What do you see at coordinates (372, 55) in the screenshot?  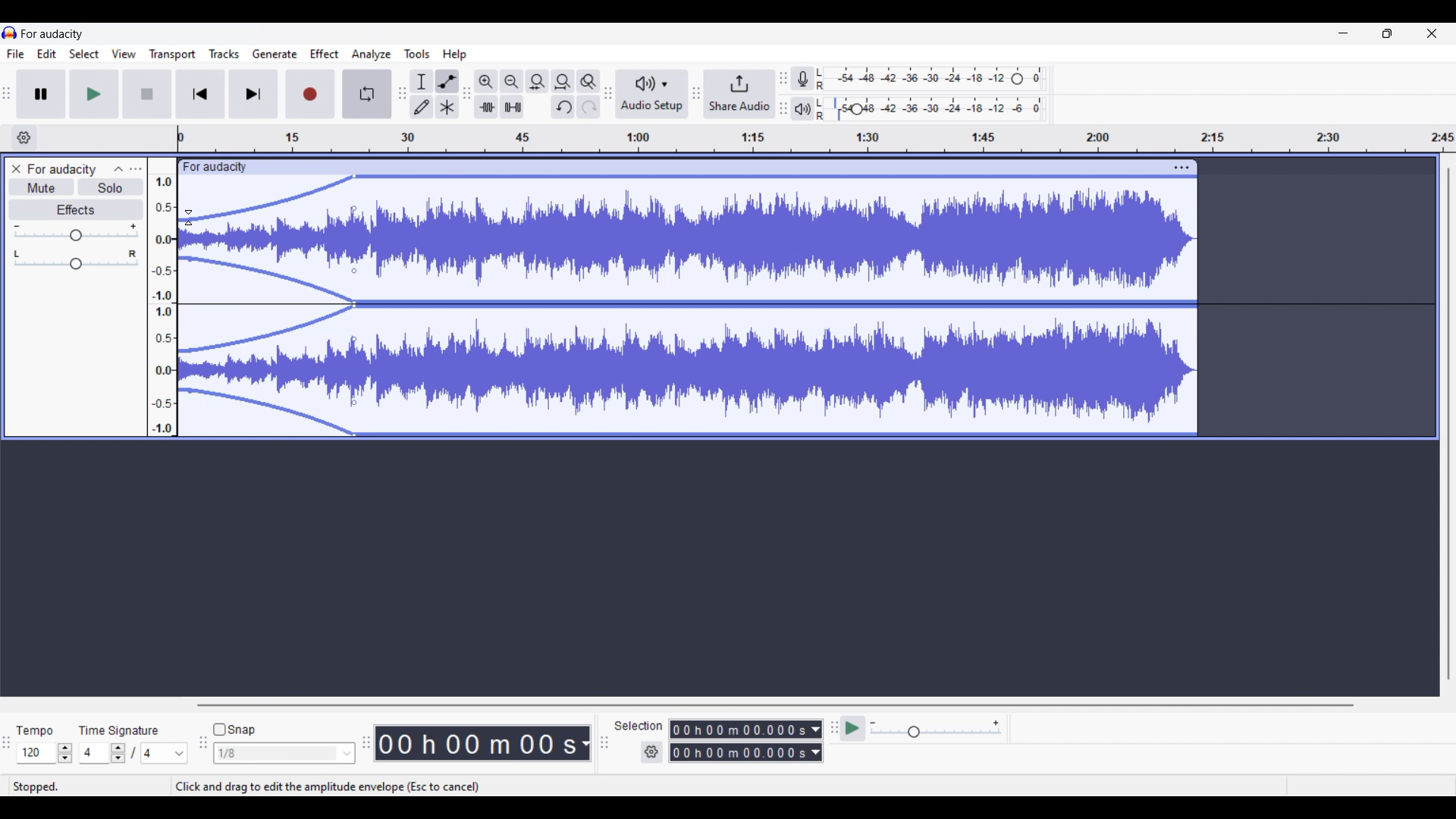 I see `Analyze` at bounding box center [372, 55].